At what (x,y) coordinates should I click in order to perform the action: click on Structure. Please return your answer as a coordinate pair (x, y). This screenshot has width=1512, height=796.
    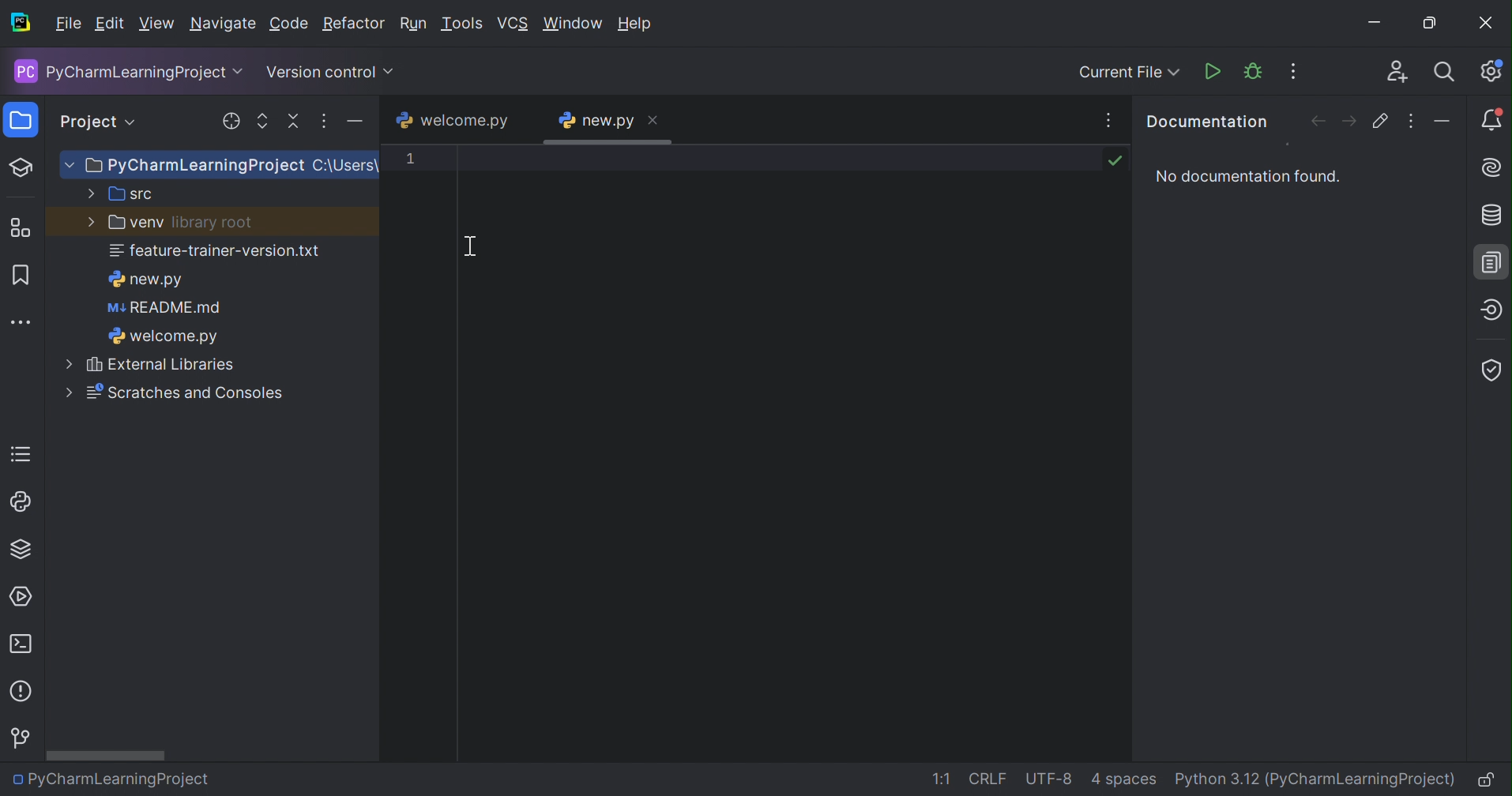
    Looking at the image, I should click on (20, 227).